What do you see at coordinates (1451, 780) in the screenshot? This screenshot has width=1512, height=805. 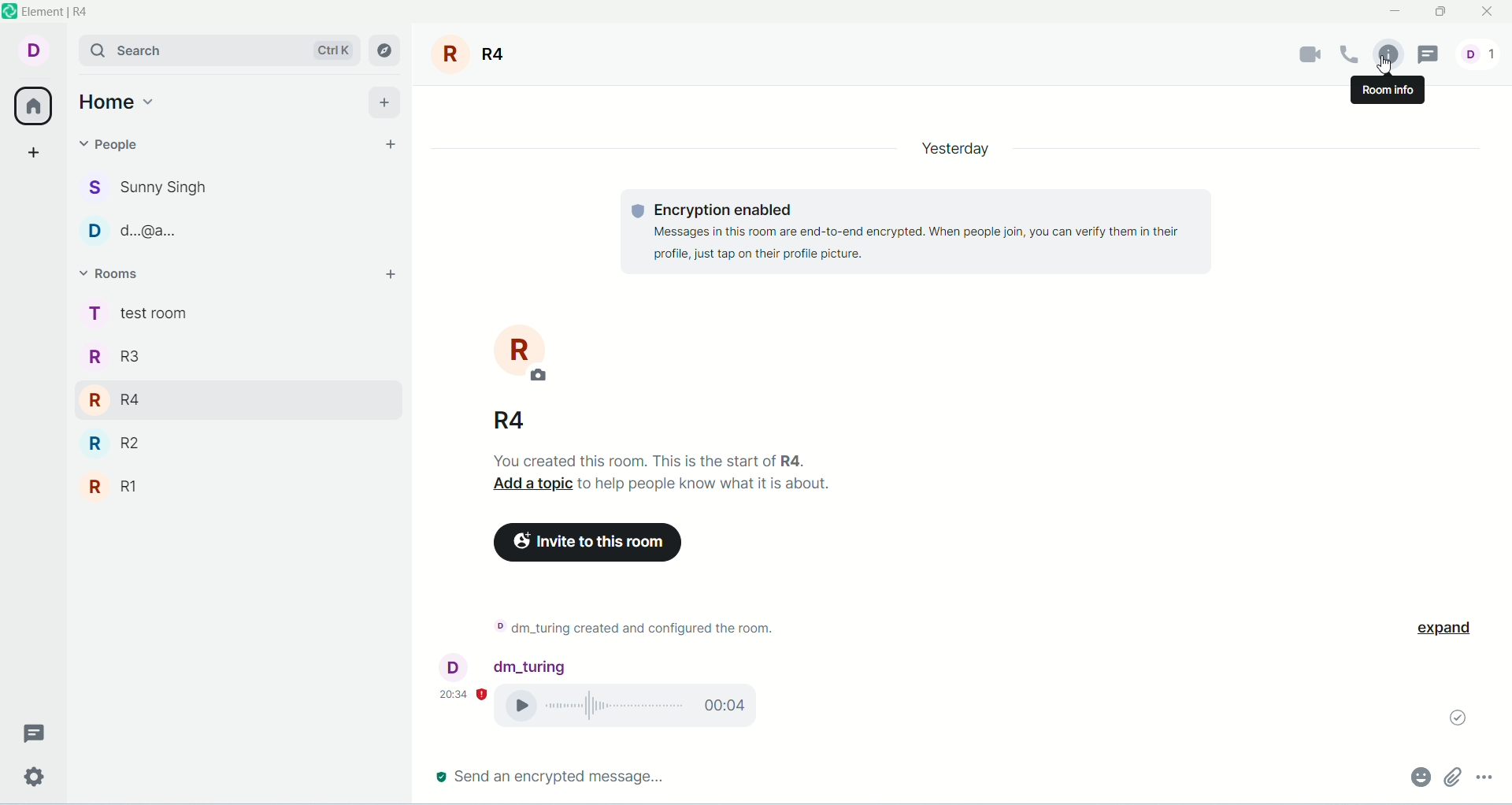 I see `attachment` at bounding box center [1451, 780].